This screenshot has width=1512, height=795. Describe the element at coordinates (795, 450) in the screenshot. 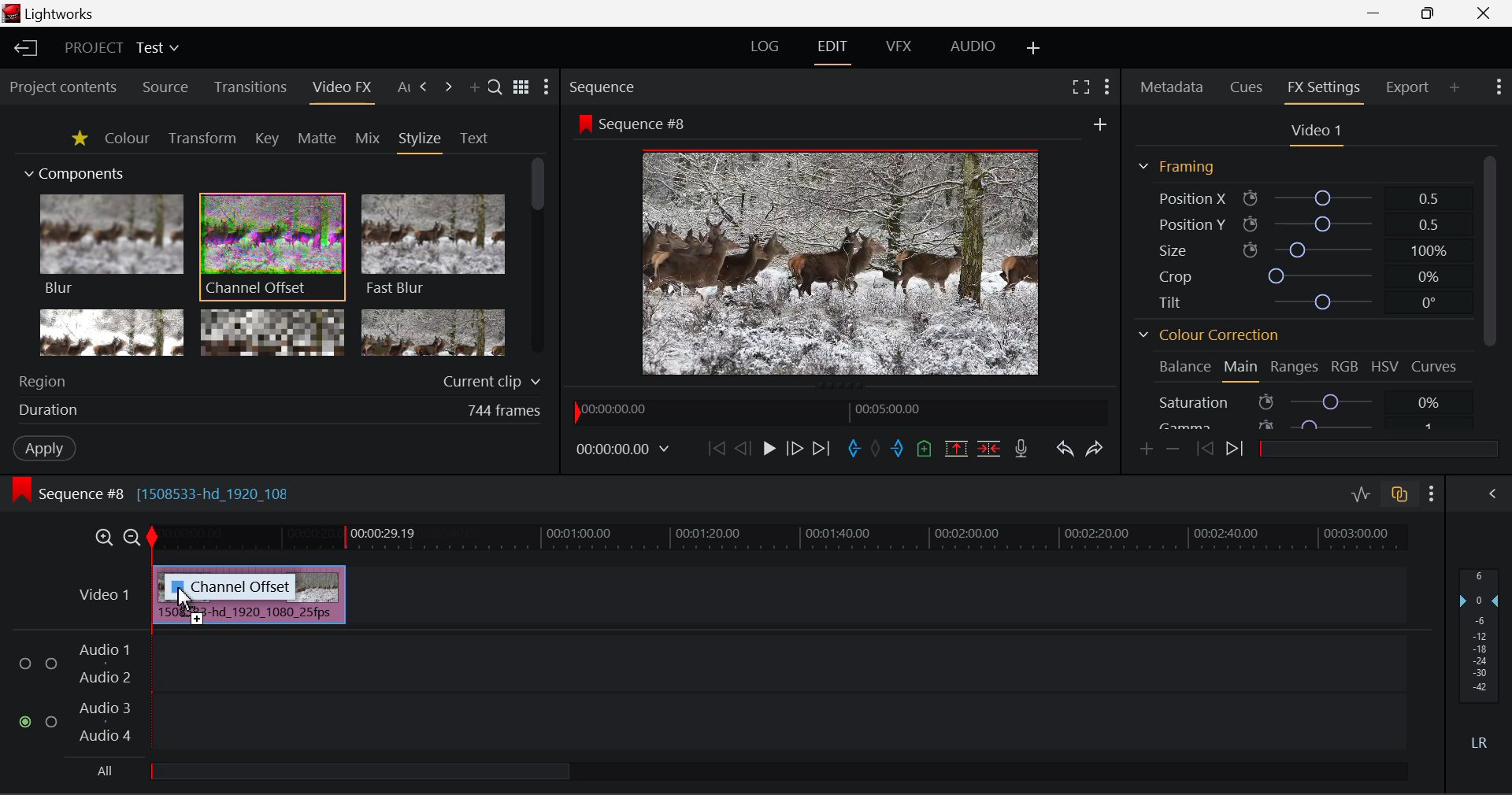

I see `Go Forward` at that location.